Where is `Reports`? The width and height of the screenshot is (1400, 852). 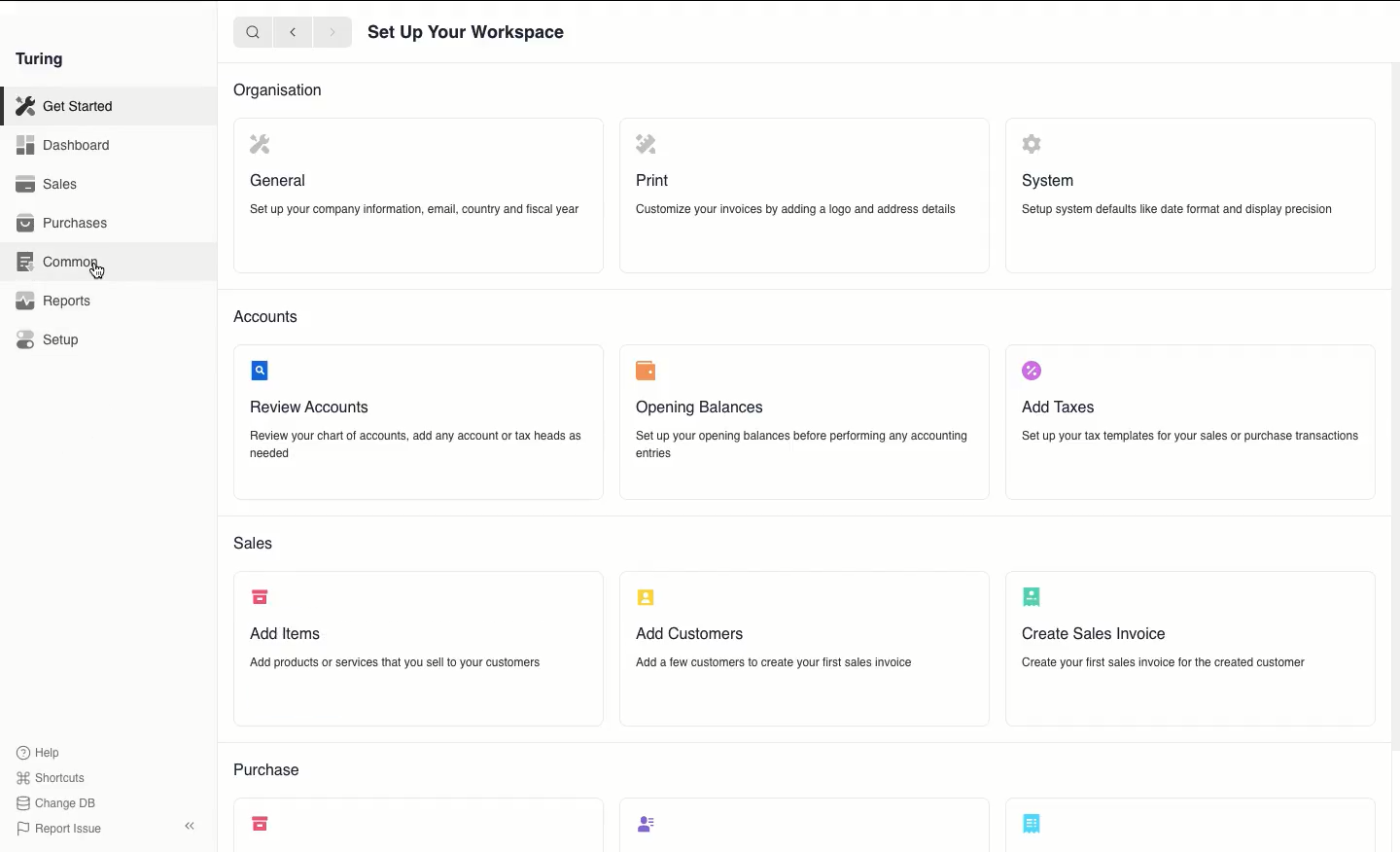
Reports is located at coordinates (67, 301).